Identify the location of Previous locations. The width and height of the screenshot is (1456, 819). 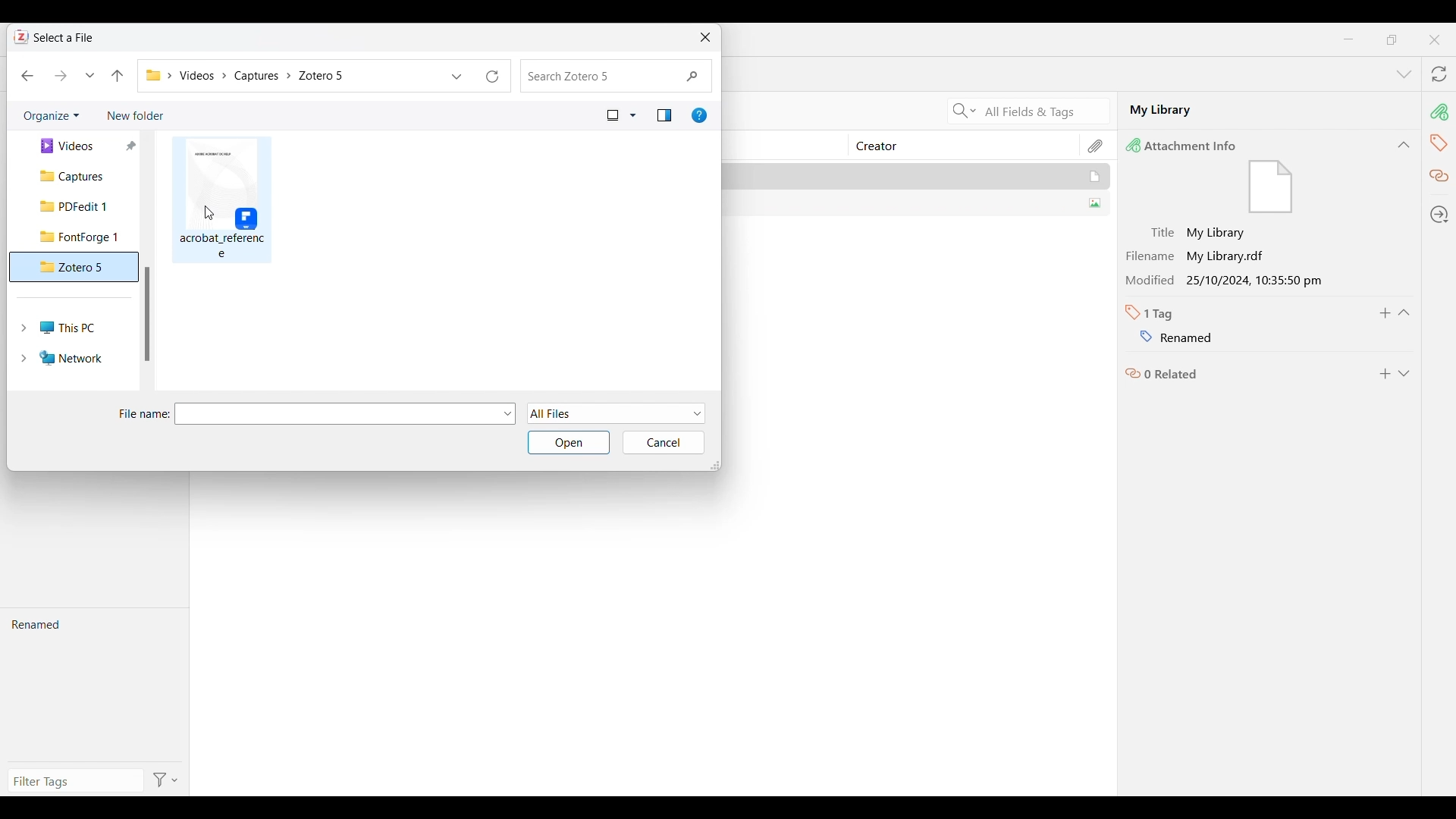
(457, 77).